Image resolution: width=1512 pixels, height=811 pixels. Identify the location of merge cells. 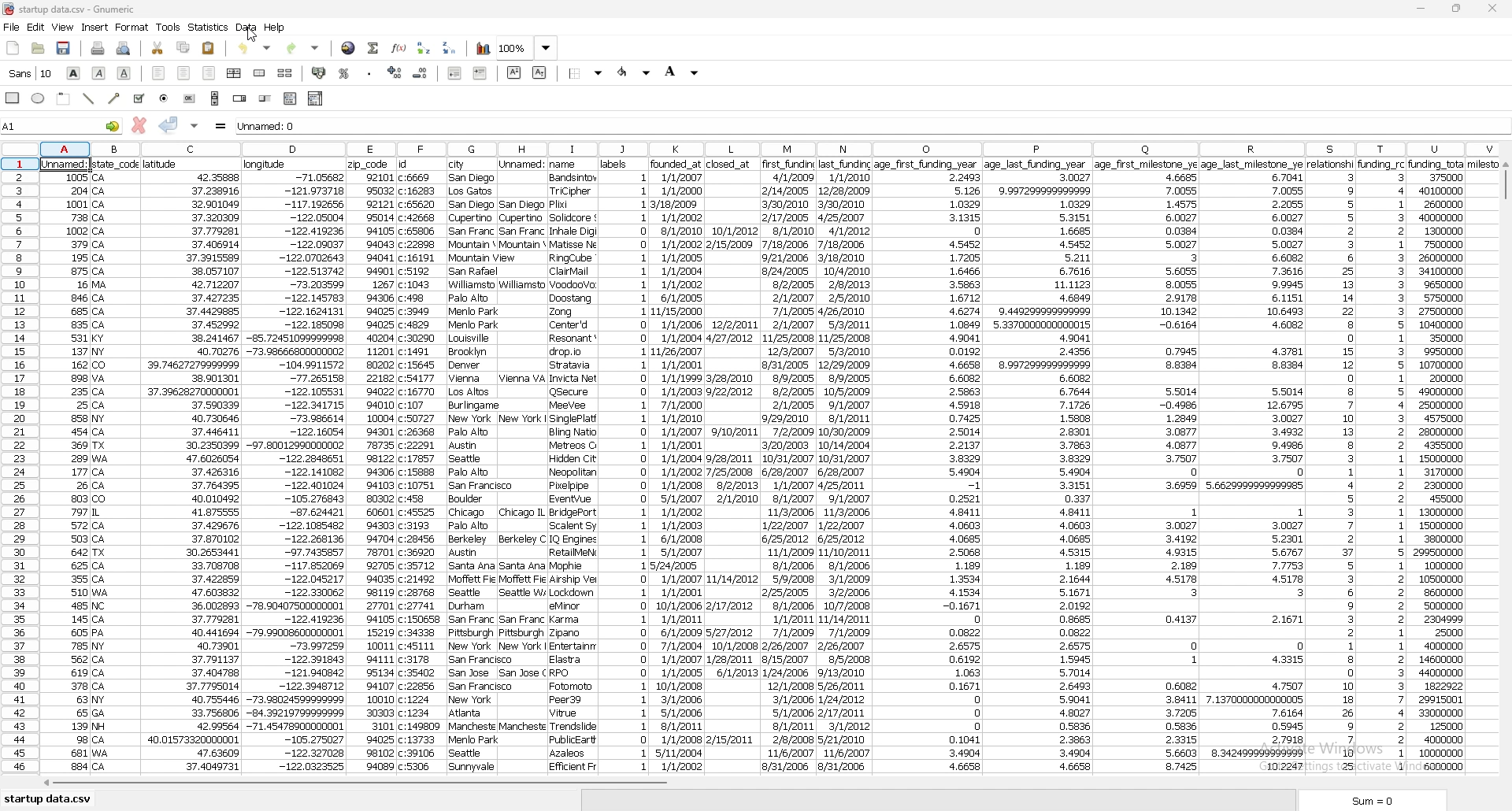
(261, 72).